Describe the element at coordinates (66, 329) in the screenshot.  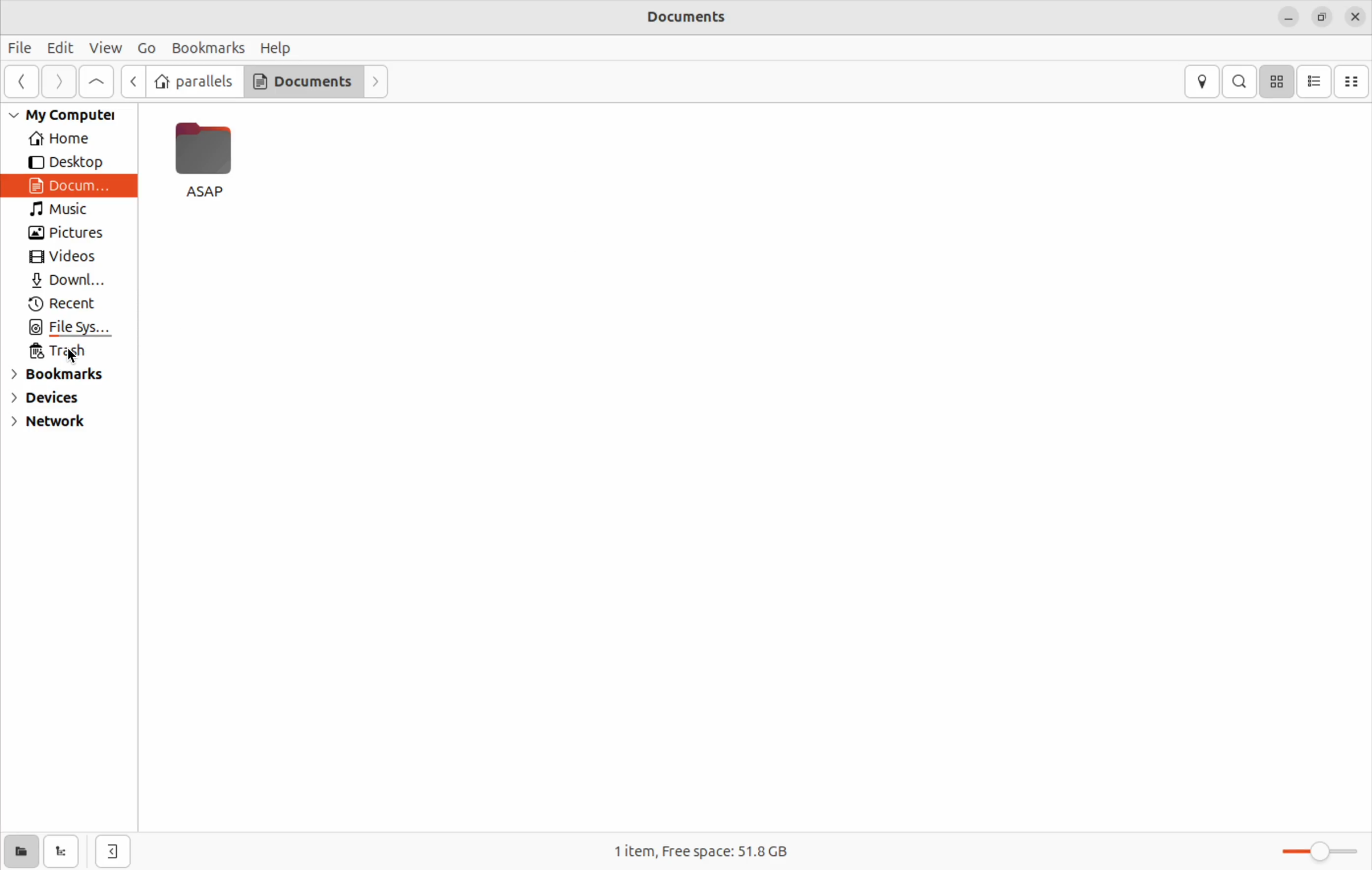
I see `File system` at that location.